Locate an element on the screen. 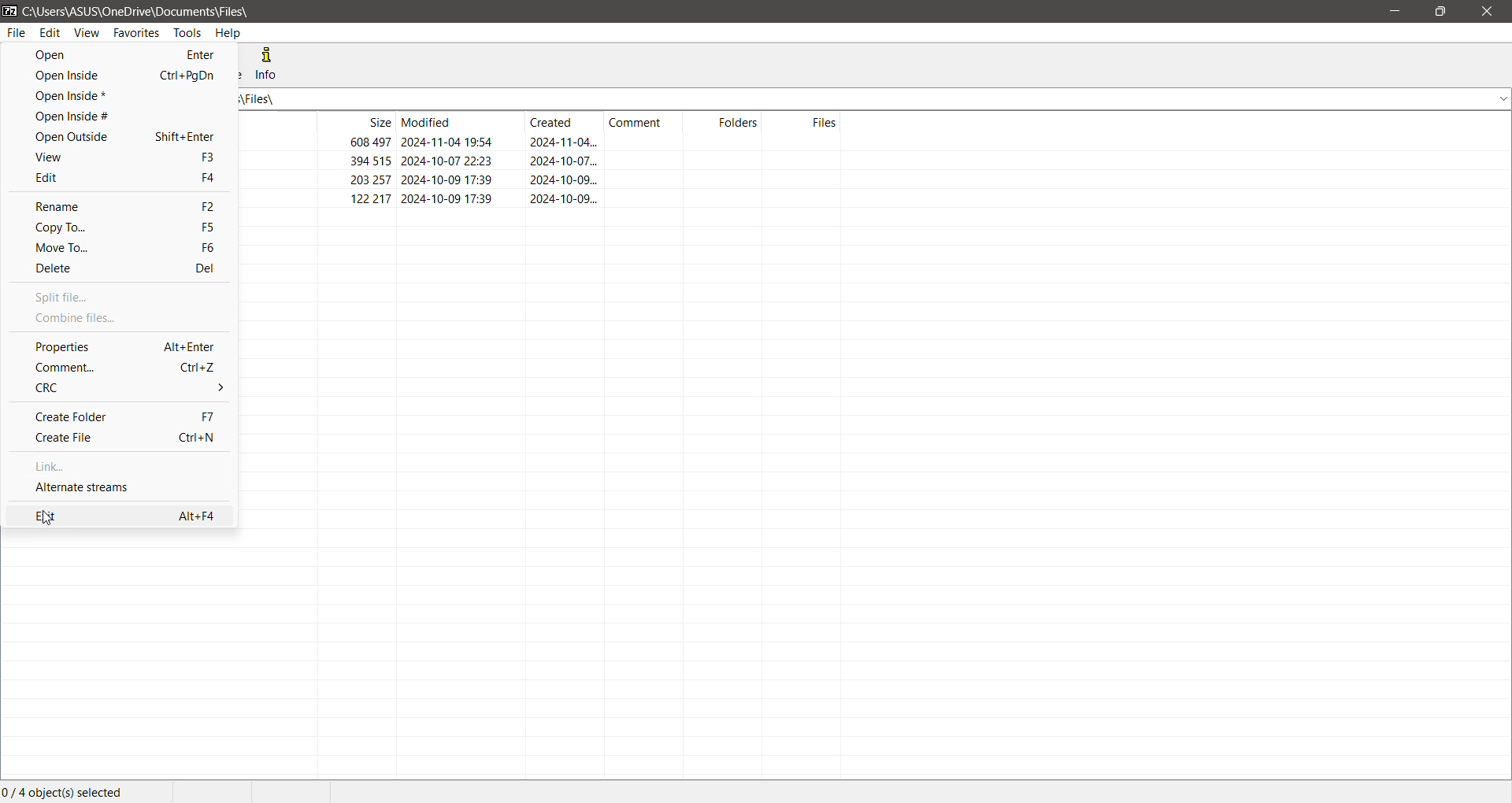  Open Outside is located at coordinates (124, 135).